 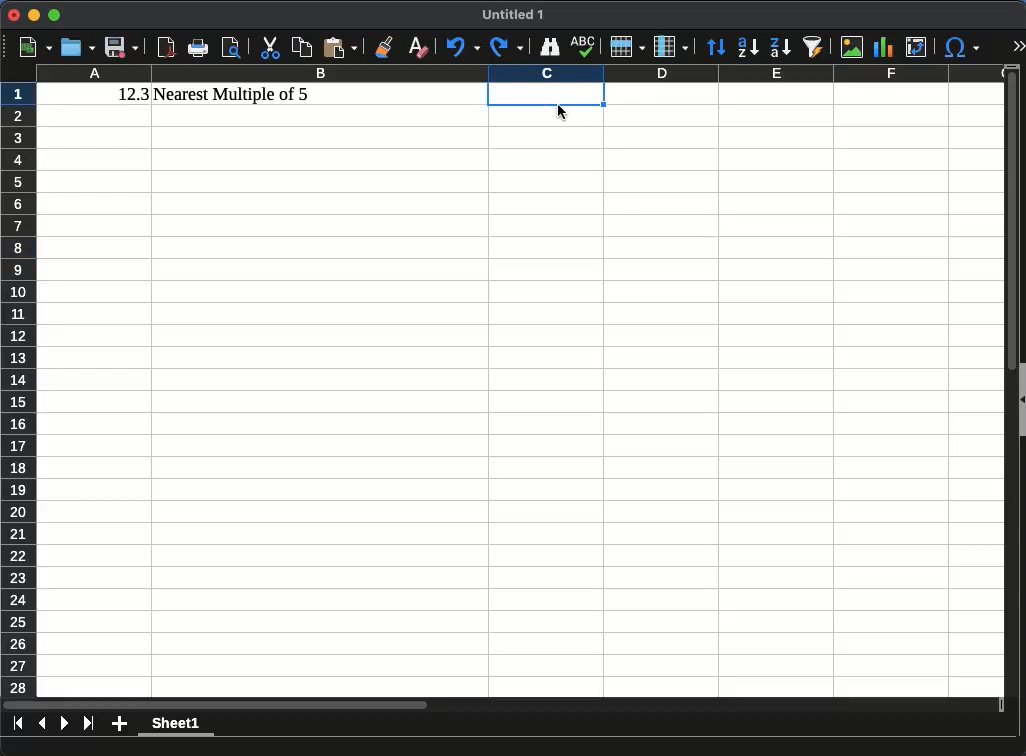 I want to click on row, so click(x=626, y=46).